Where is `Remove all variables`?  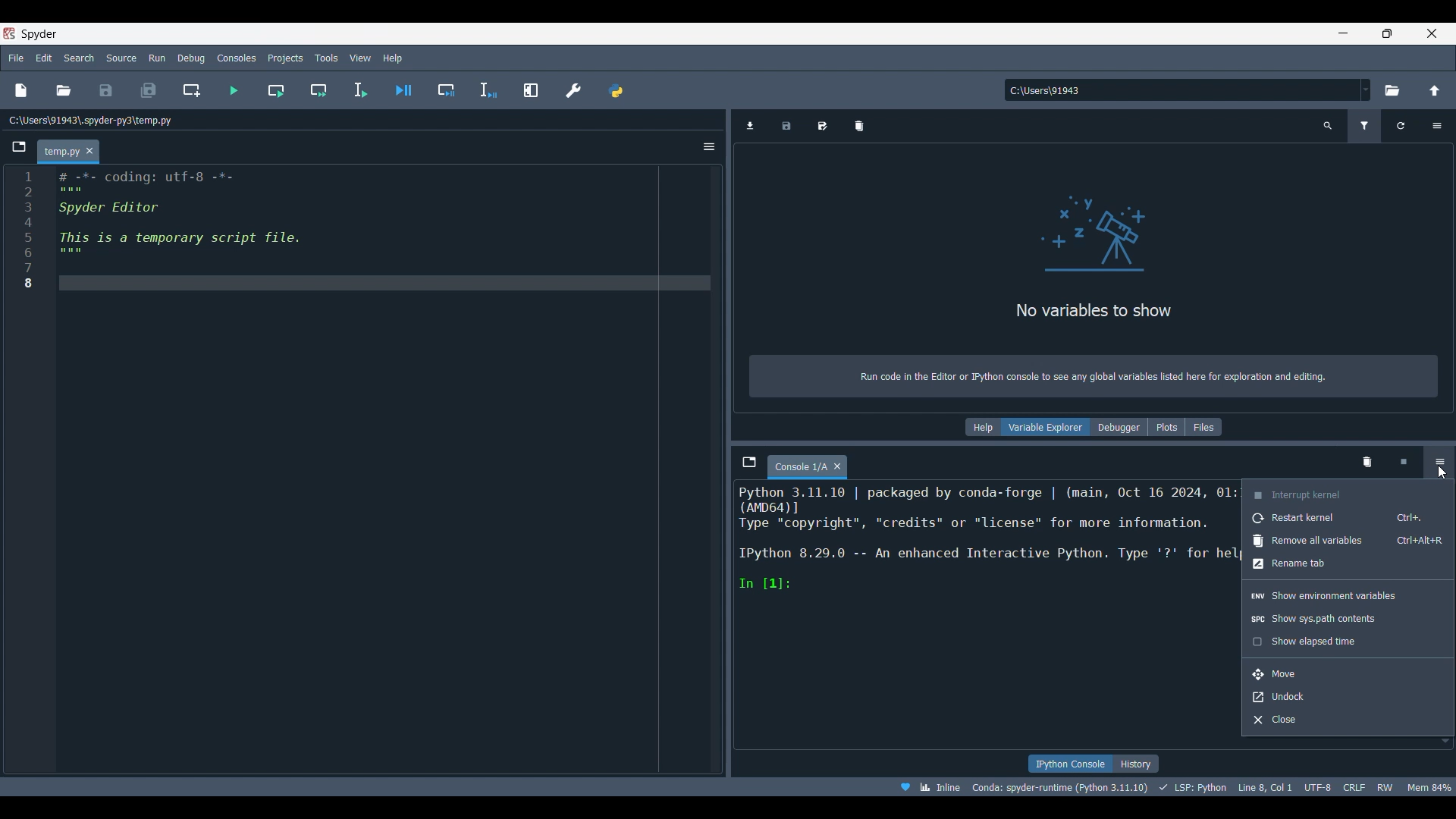
Remove all variables is located at coordinates (859, 126).